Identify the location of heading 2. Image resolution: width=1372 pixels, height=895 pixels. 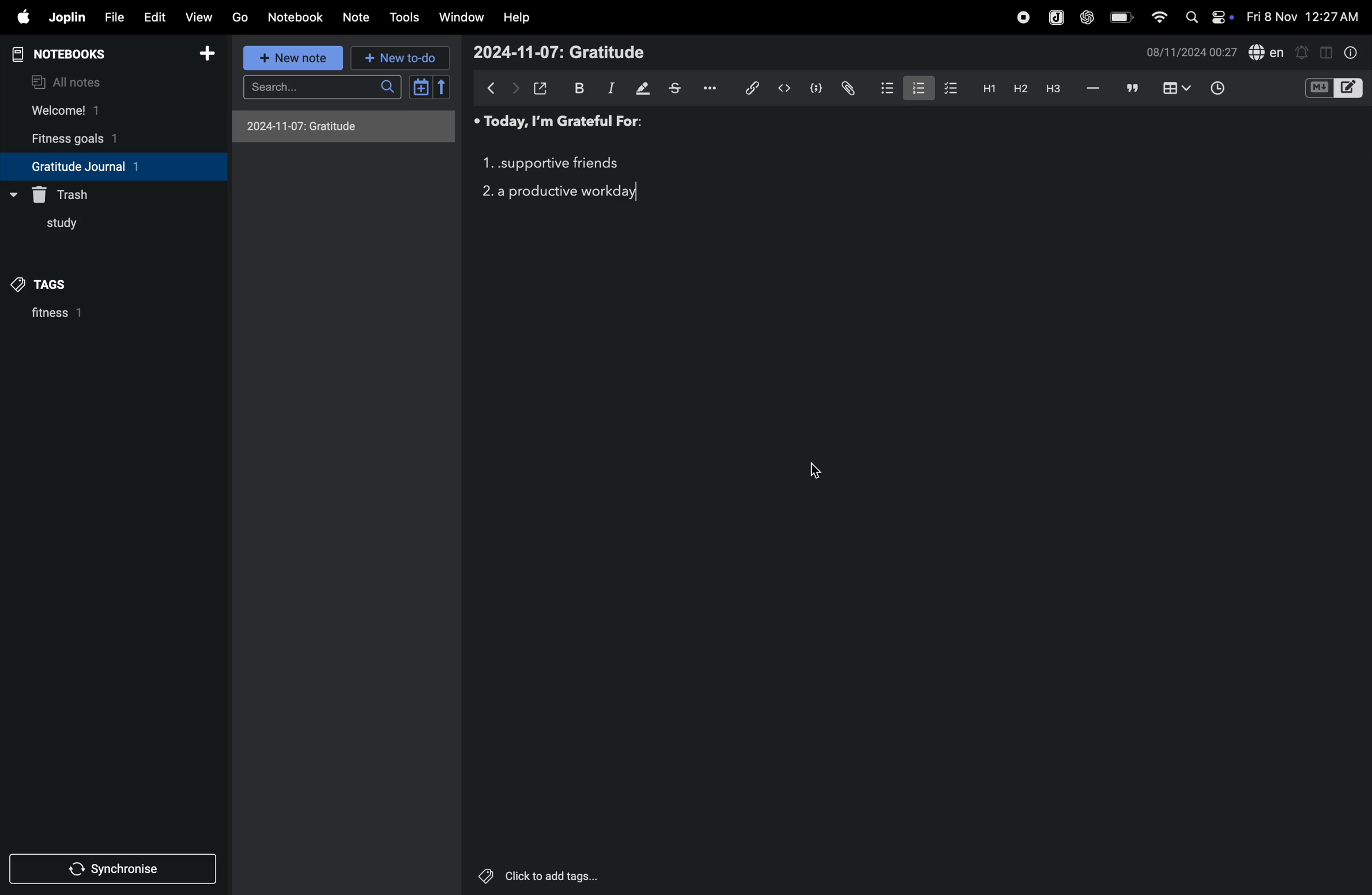
(1017, 89).